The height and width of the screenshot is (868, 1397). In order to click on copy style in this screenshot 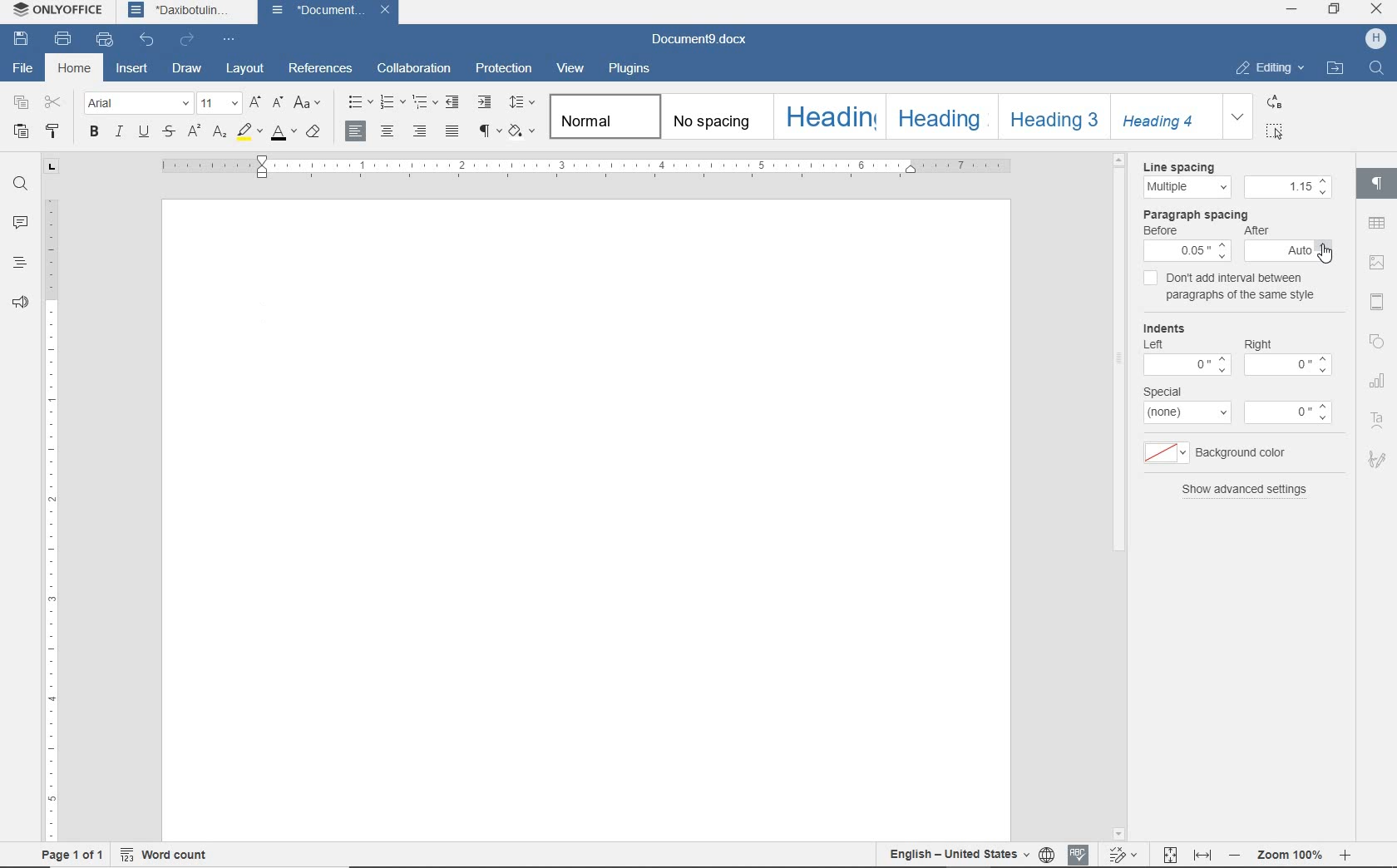, I will do `click(56, 132)`.